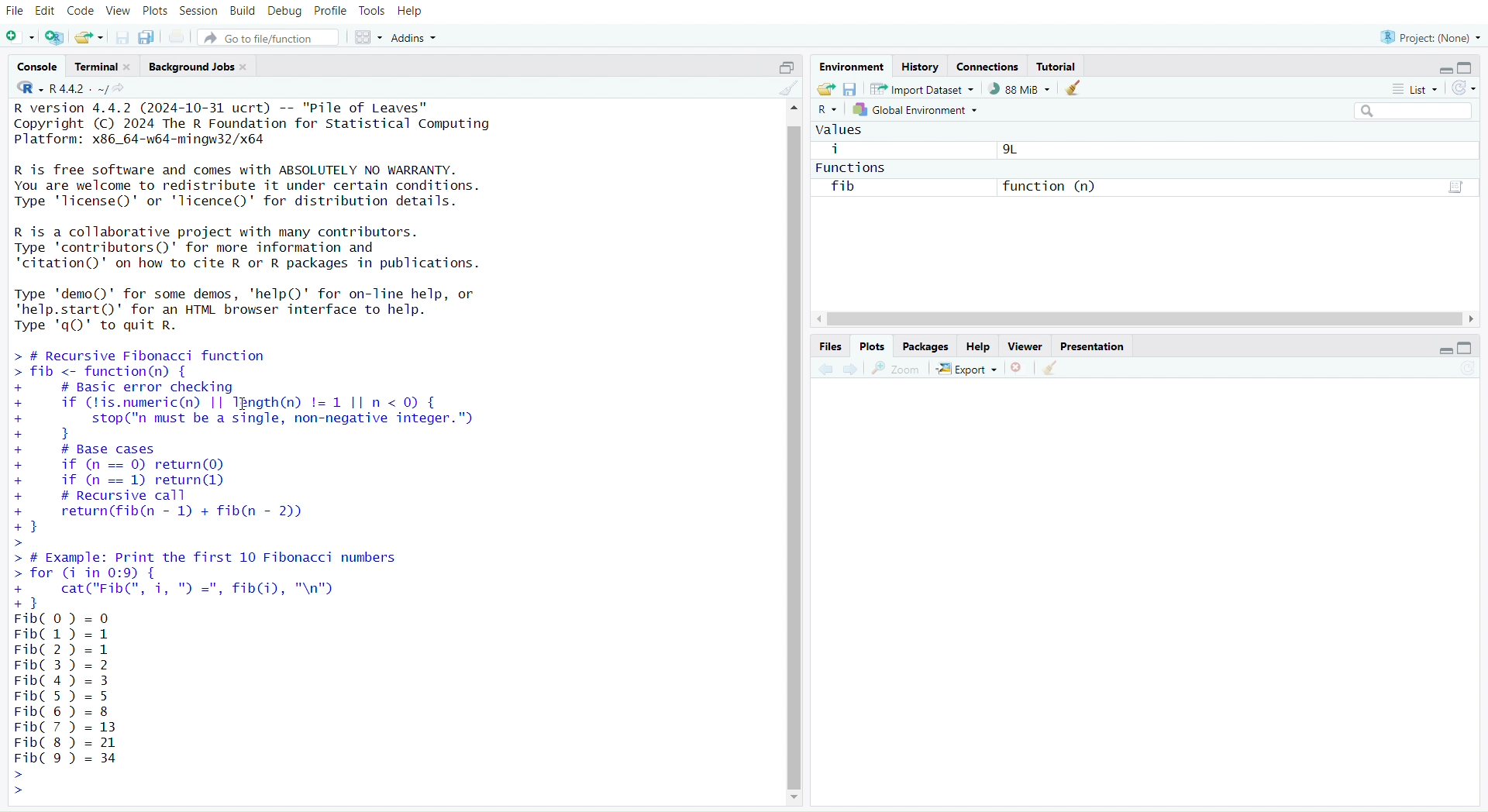  I want to click on environment, so click(849, 67).